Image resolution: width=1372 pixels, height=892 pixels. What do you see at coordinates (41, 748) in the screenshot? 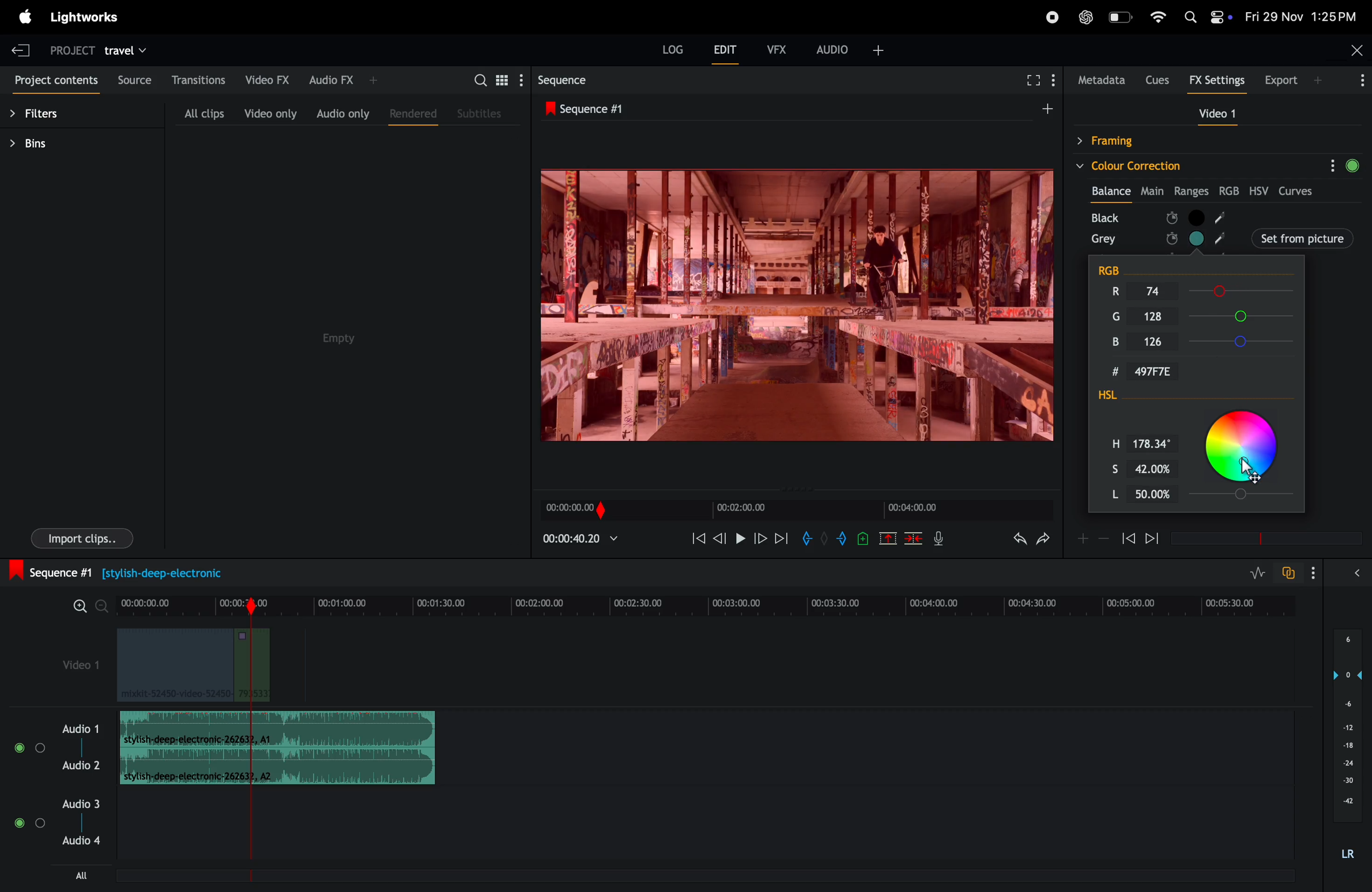
I see `toggle` at bounding box center [41, 748].